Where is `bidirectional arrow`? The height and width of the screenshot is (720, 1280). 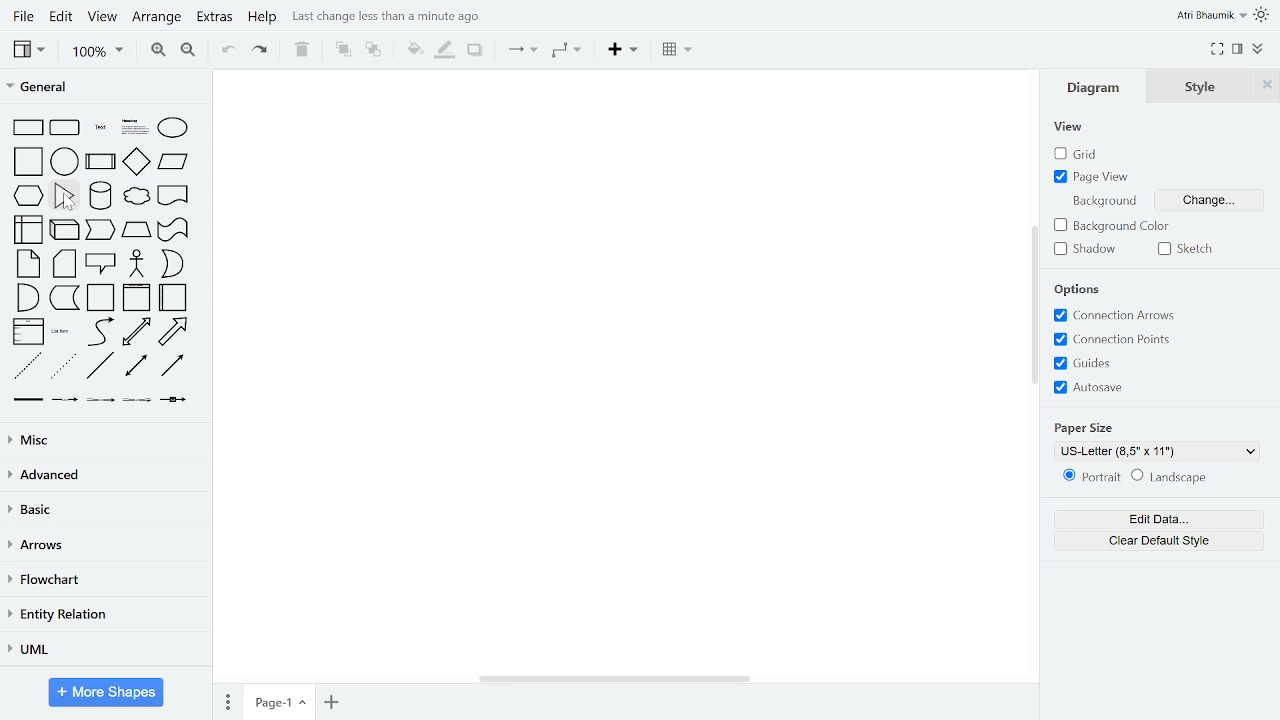
bidirectional arrow is located at coordinates (136, 332).